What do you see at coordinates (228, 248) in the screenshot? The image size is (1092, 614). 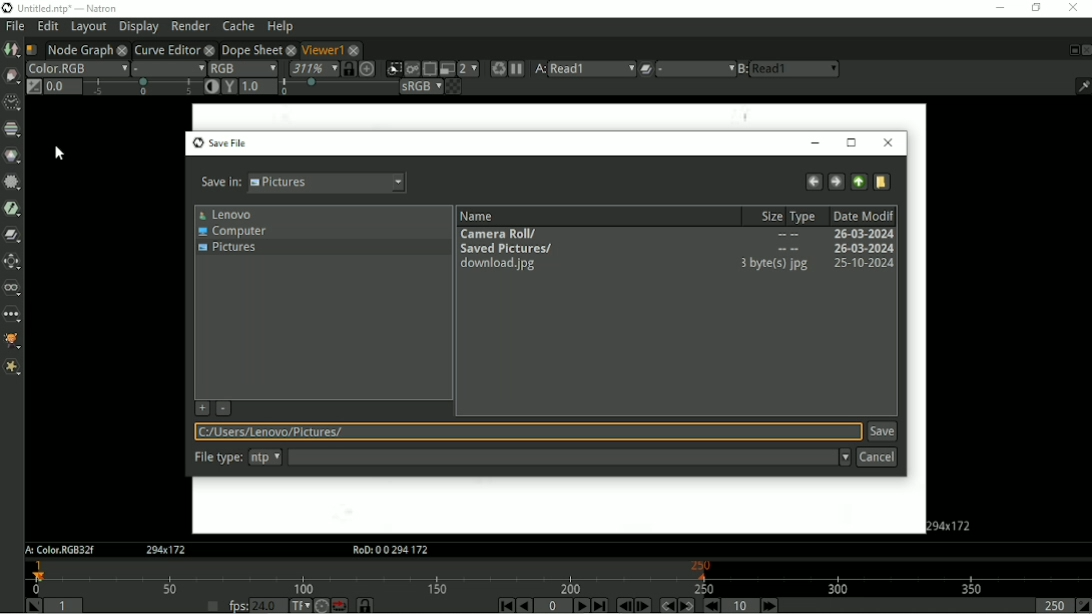 I see `Pictures` at bounding box center [228, 248].